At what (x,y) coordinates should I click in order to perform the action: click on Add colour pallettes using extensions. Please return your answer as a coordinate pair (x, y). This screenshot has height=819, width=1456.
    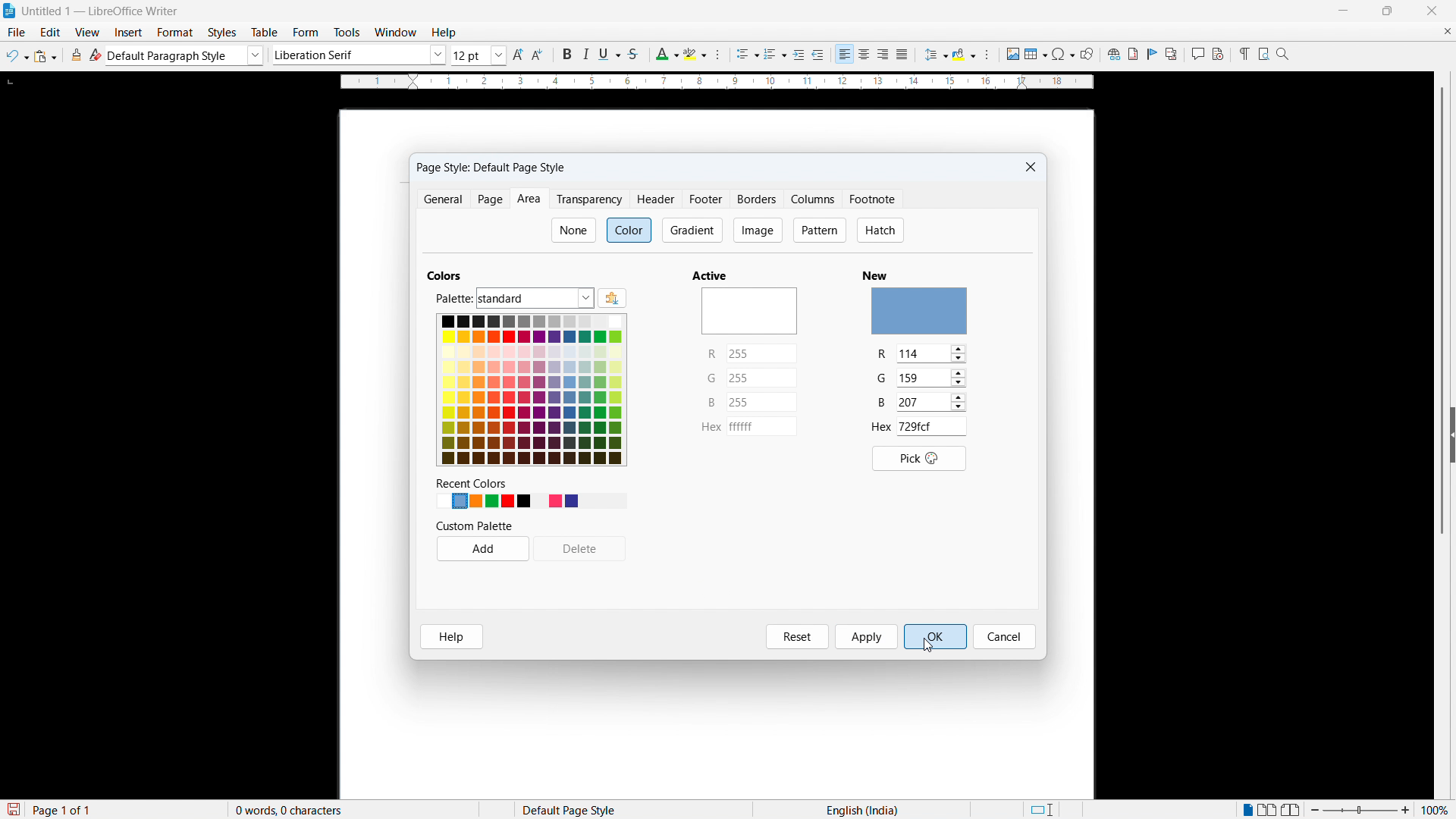
    Looking at the image, I should click on (612, 297).